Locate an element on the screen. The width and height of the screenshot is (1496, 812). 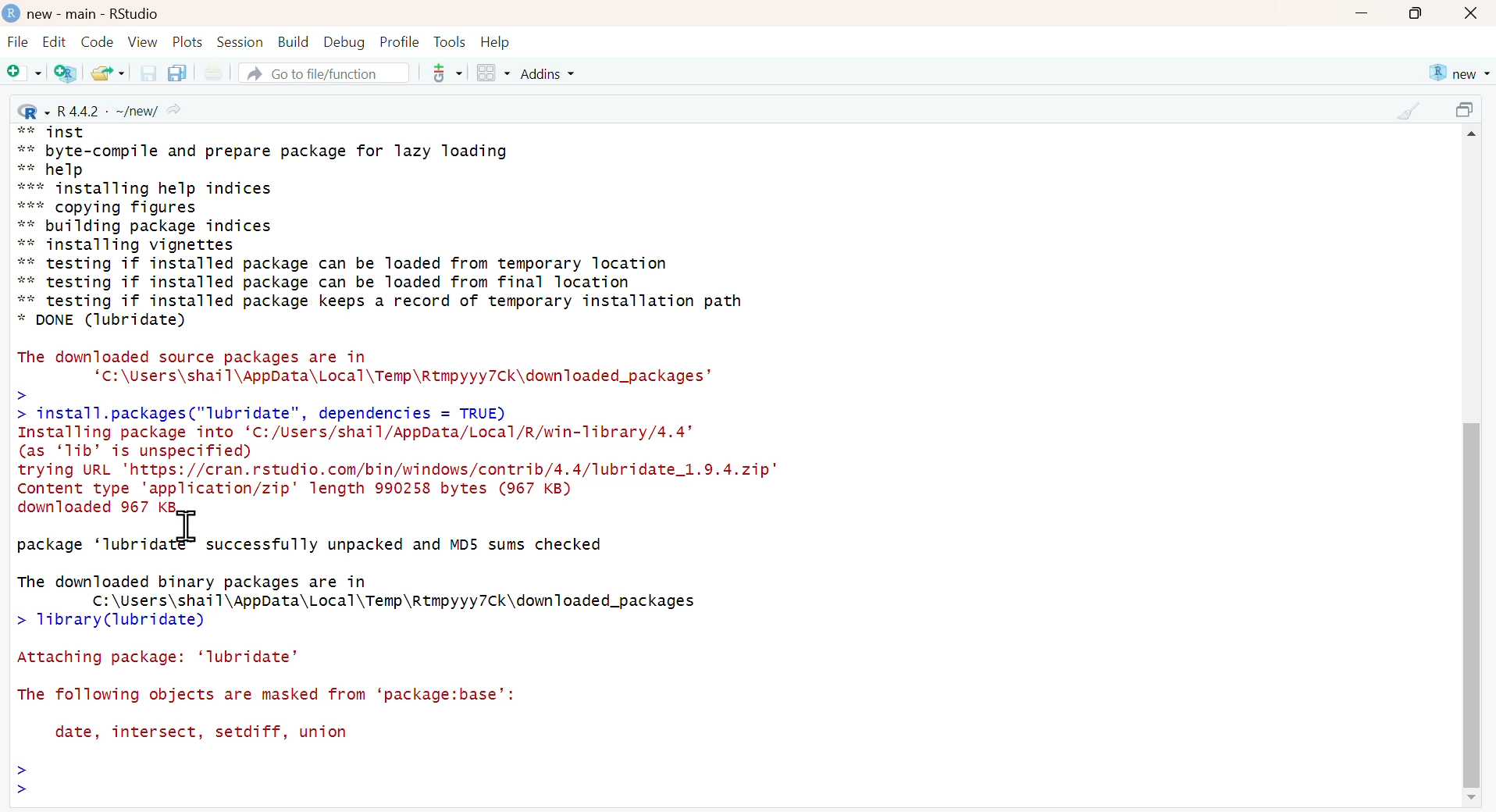
save the current document is located at coordinates (146, 73).